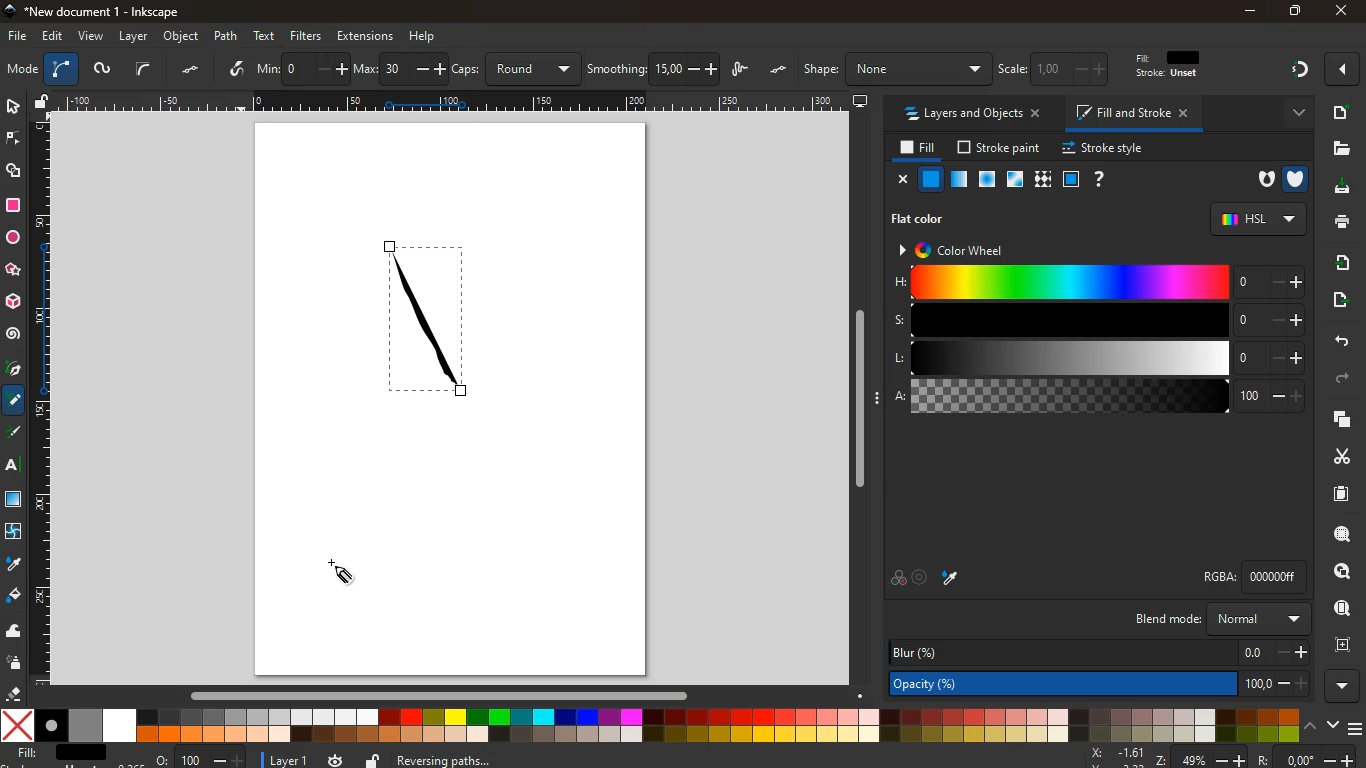 This screenshot has height=768, width=1366. Describe the element at coordinates (932, 179) in the screenshot. I see `normal` at that location.